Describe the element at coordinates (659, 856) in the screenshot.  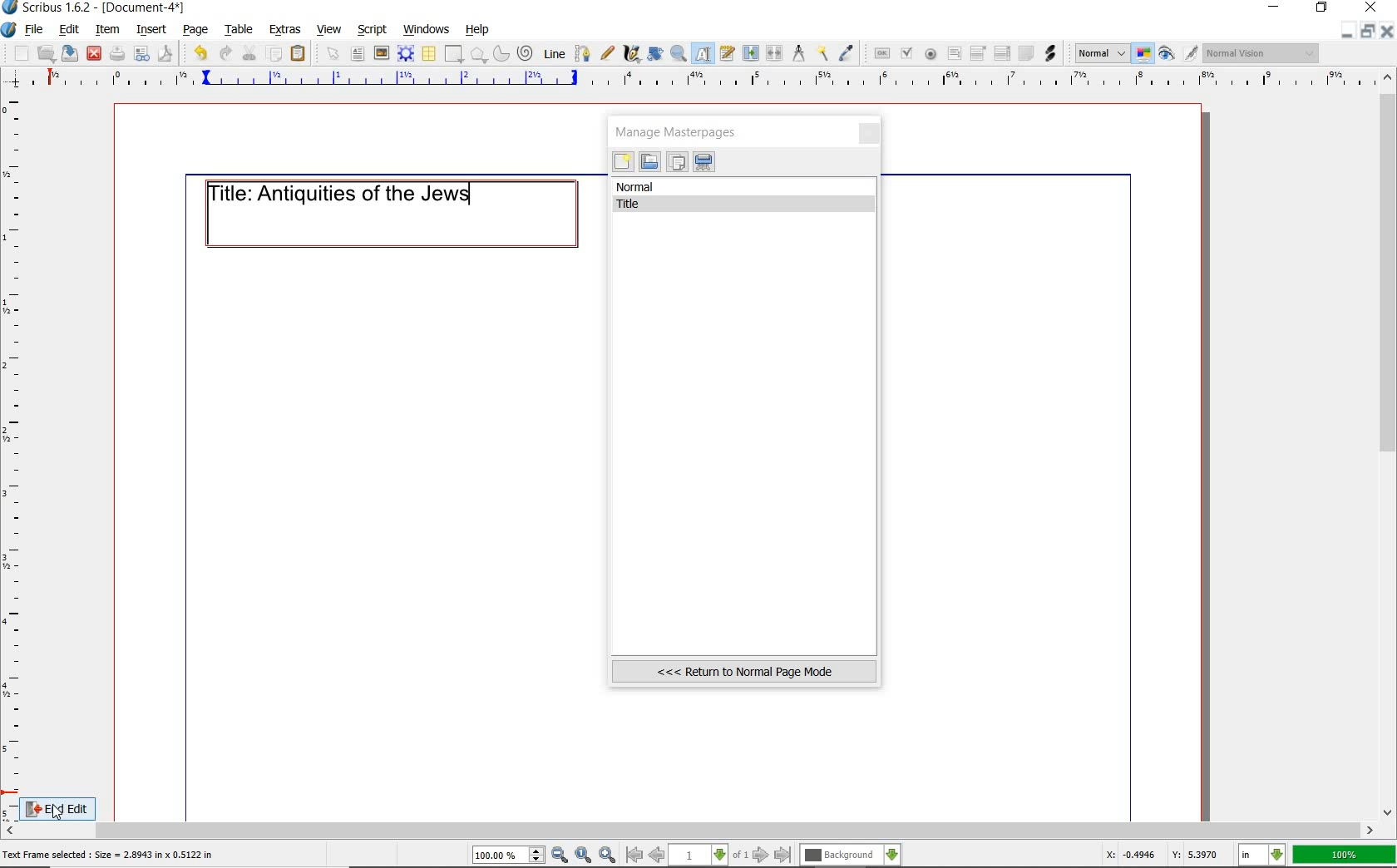
I see `go to previous page` at that location.